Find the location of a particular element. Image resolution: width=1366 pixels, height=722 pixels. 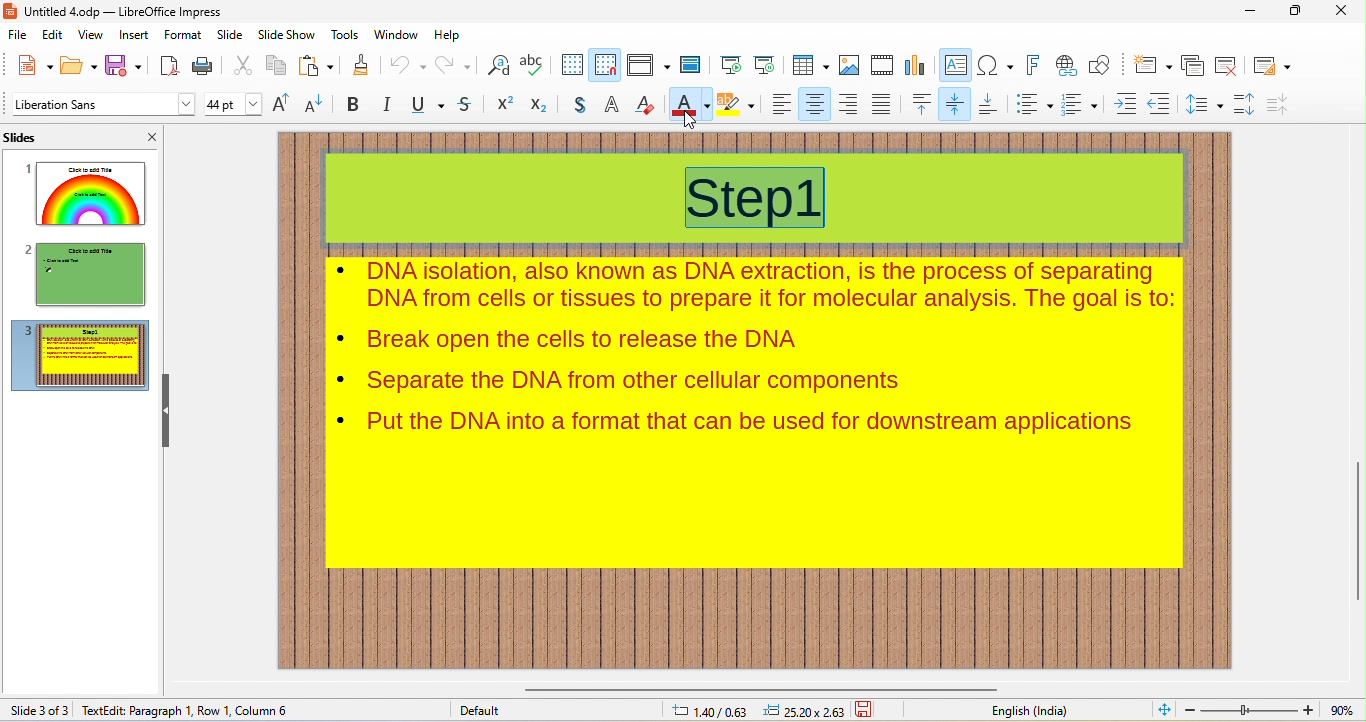

outline is located at coordinates (613, 105).